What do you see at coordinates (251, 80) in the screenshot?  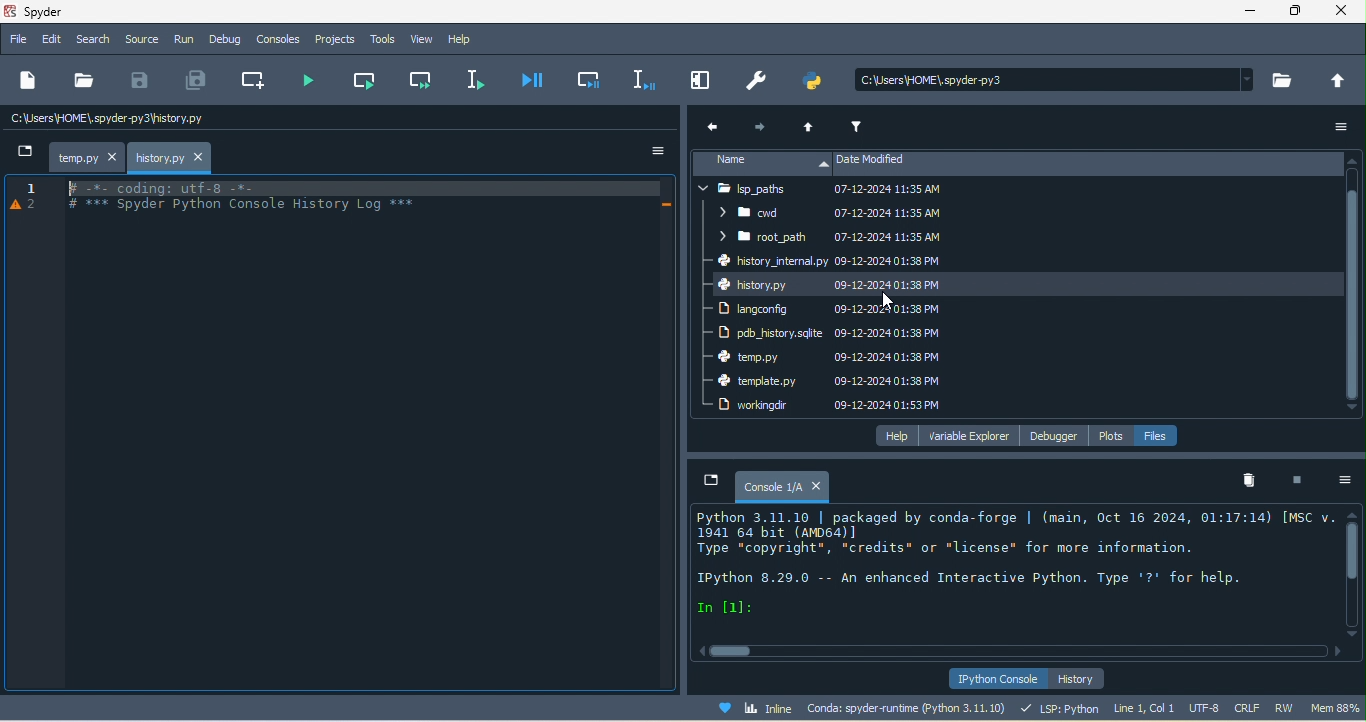 I see `create new cell` at bounding box center [251, 80].